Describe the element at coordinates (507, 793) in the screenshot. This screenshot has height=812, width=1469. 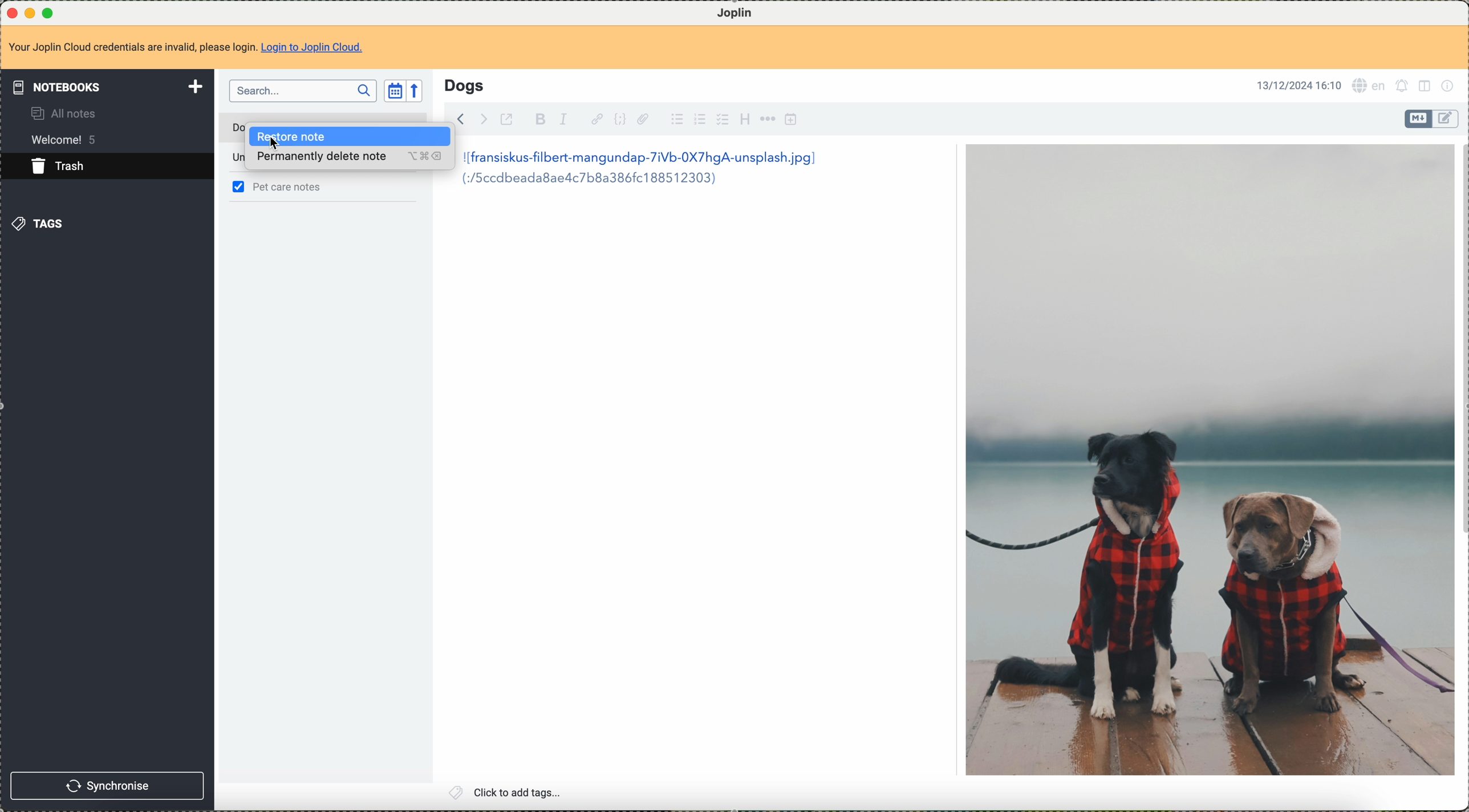
I see `click to add tags` at that location.